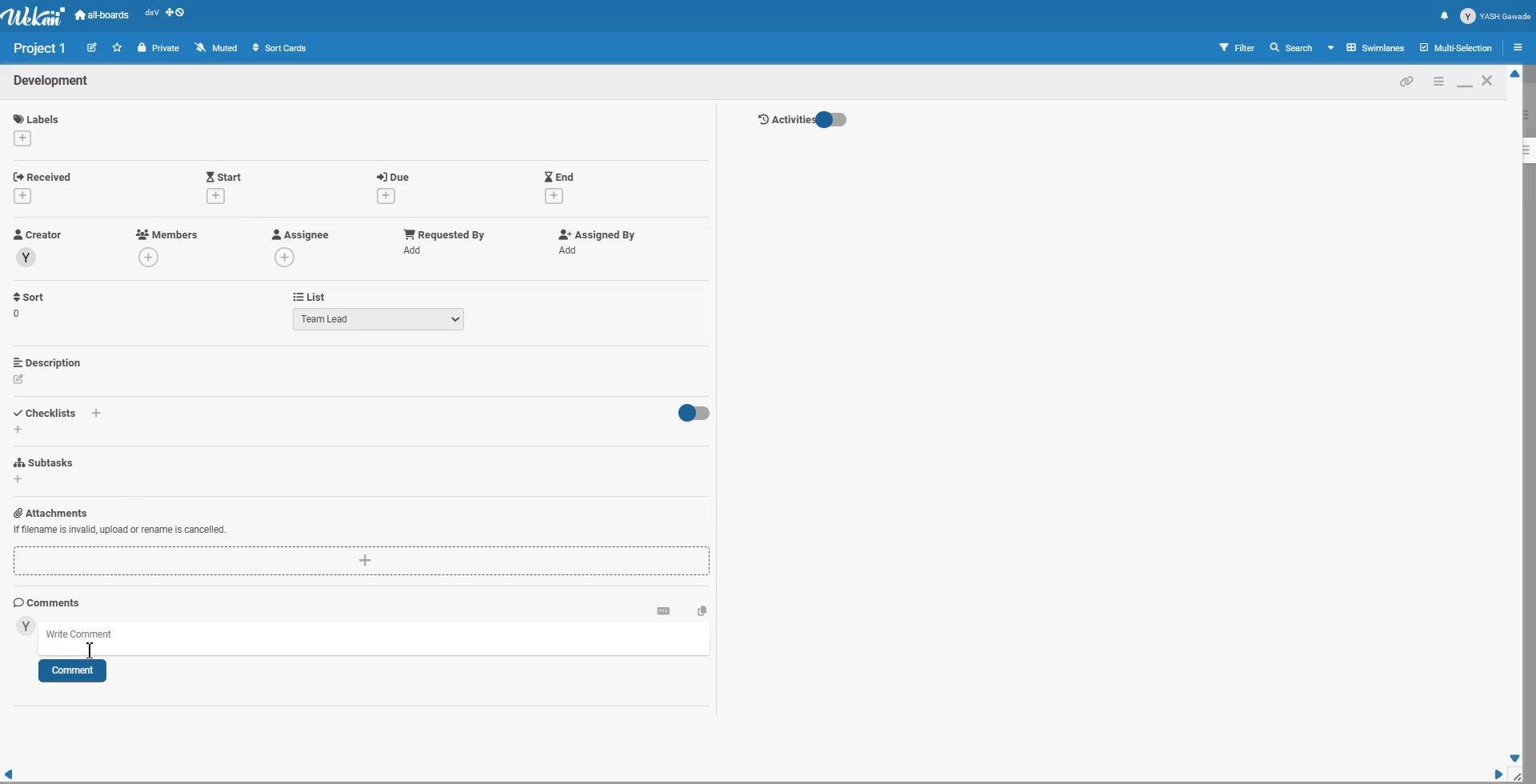 Image resolution: width=1536 pixels, height=784 pixels. What do you see at coordinates (98, 414) in the screenshot?
I see `add` at bounding box center [98, 414].